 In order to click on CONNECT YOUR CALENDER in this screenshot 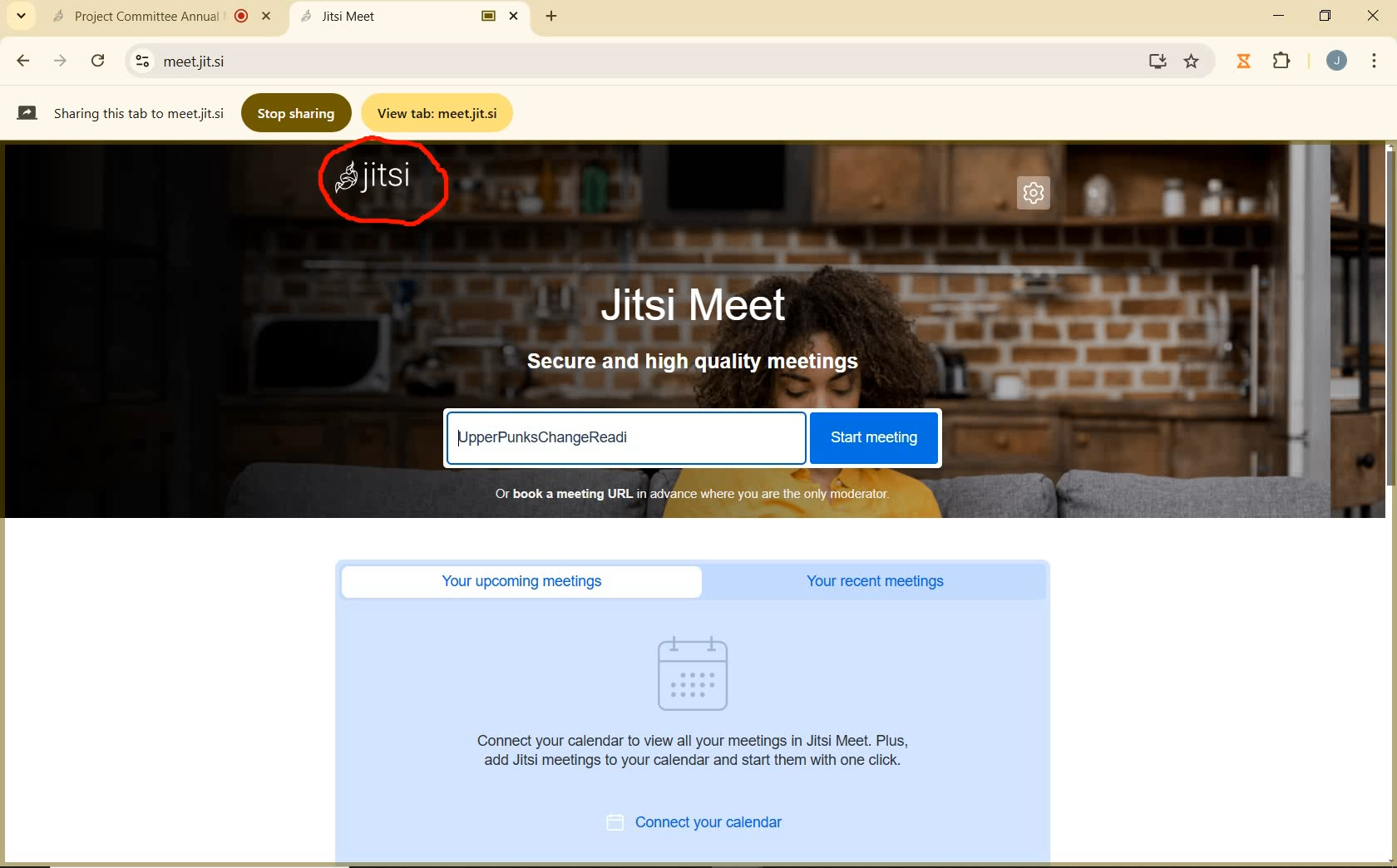, I will do `click(713, 825)`.